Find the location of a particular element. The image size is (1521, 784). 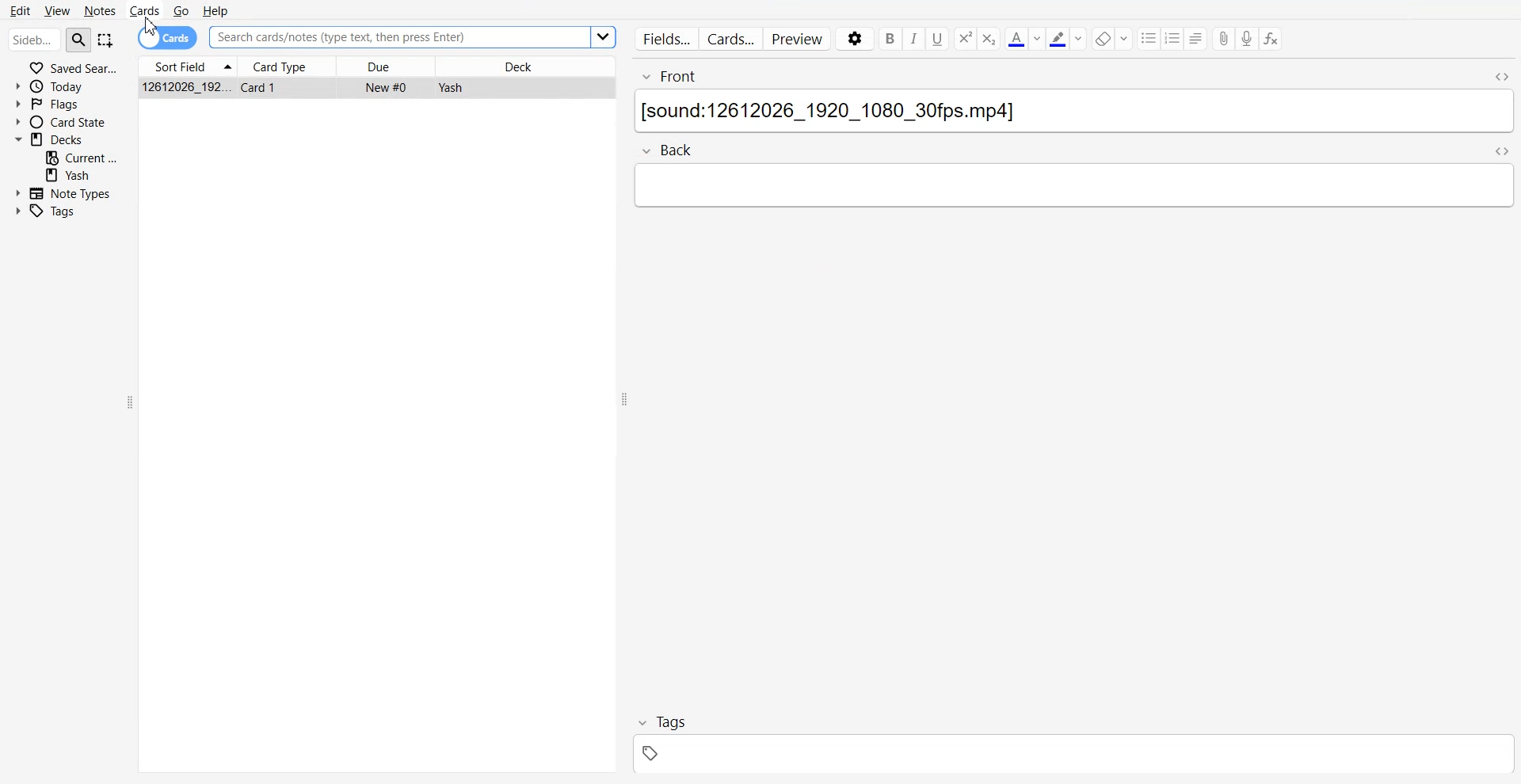

Bold is located at coordinates (889, 39).